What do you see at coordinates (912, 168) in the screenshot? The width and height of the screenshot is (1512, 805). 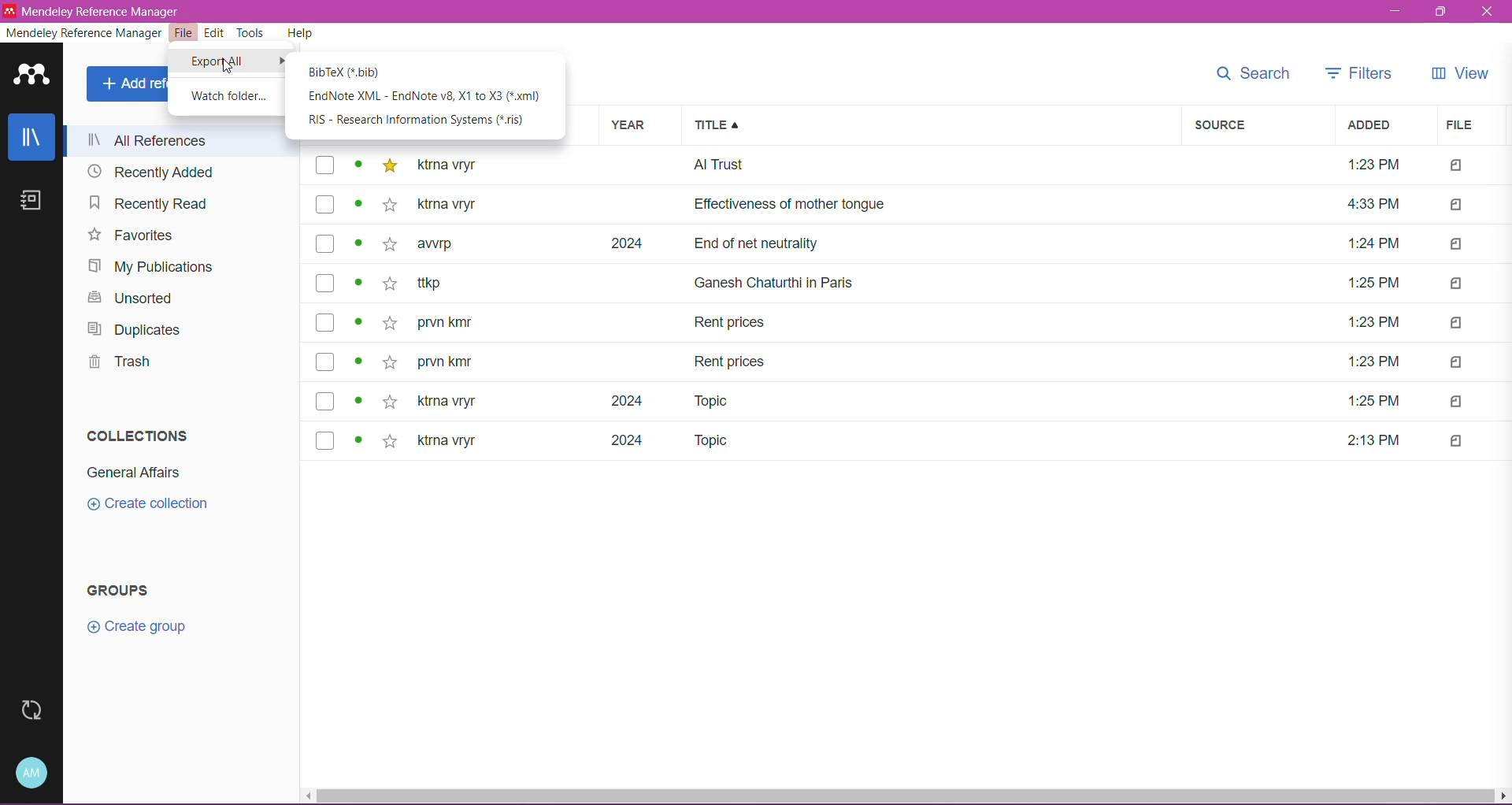 I see `ktrna vryr Al Trust 1:23PM` at bounding box center [912, 168].